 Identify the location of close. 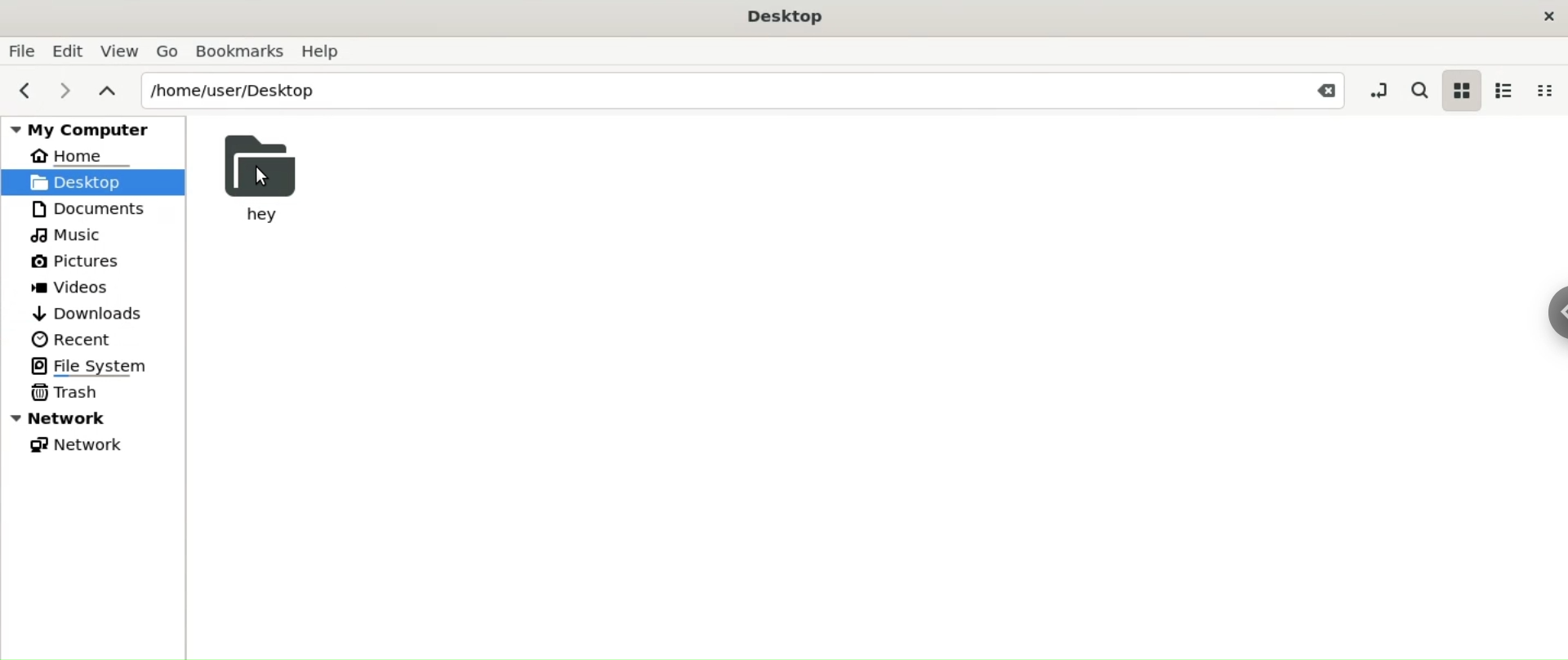
(1545, 16).